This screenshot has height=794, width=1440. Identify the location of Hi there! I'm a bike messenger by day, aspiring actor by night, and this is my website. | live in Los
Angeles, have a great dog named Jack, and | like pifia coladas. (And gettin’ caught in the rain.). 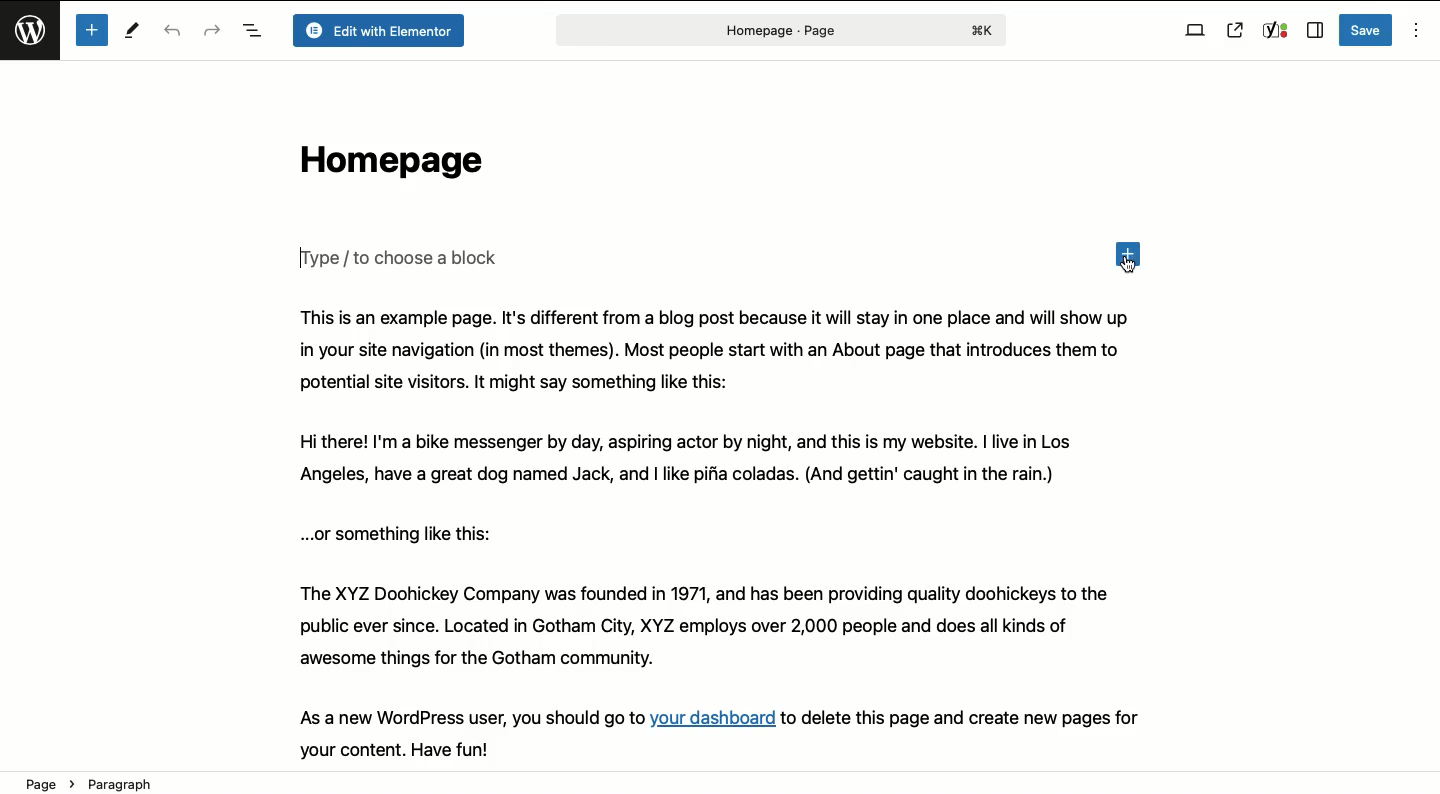
(713, 461).